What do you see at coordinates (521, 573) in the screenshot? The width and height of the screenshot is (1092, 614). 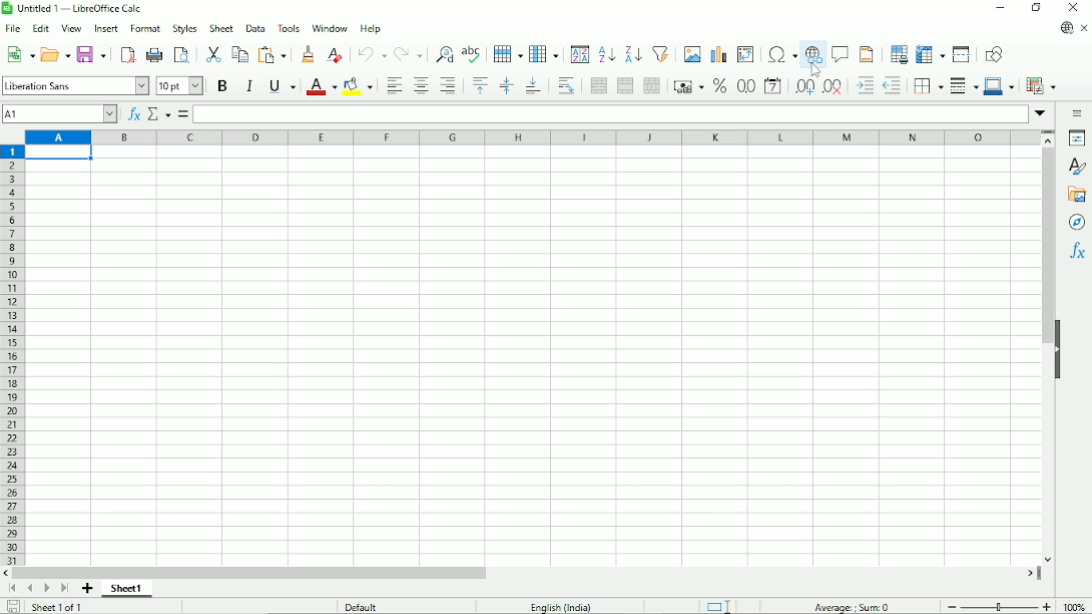 I see `Horizontal scrollbar` at bounding box center [521, 573].